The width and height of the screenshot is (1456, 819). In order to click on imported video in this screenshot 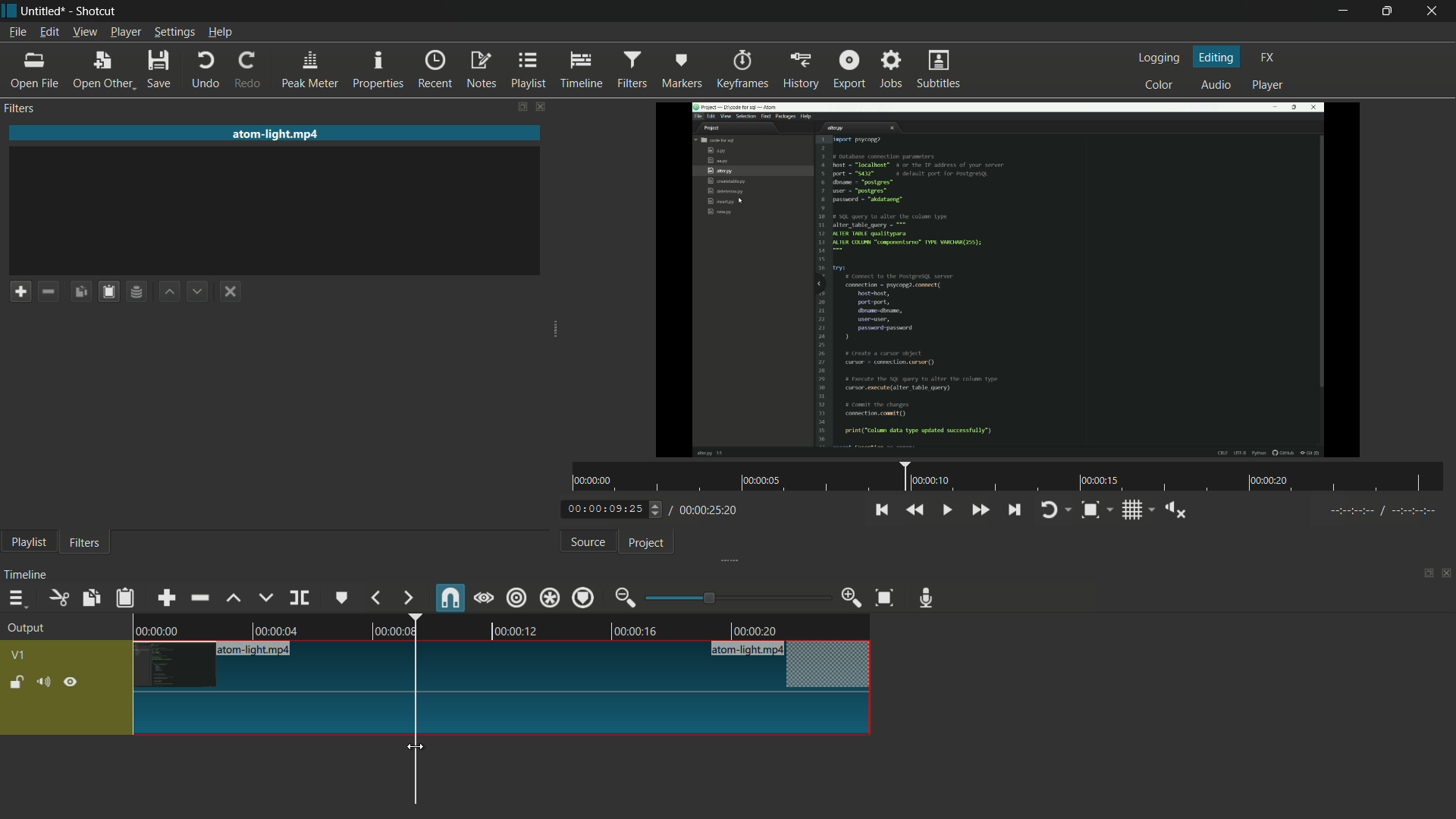, I will do `click(1012, 280)`.